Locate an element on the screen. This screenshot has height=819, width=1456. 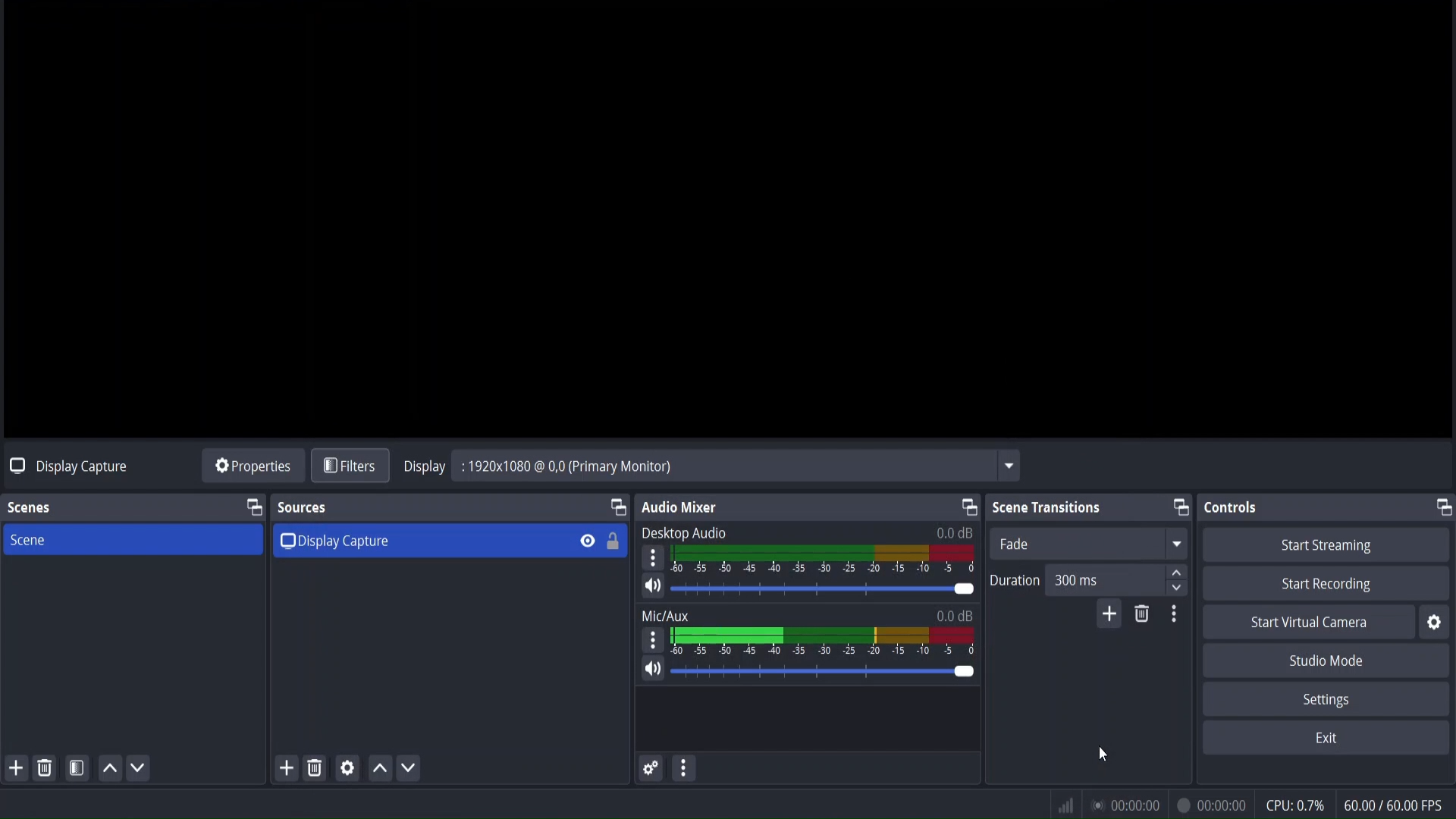
no source selected is located at coordinates (65, 465).